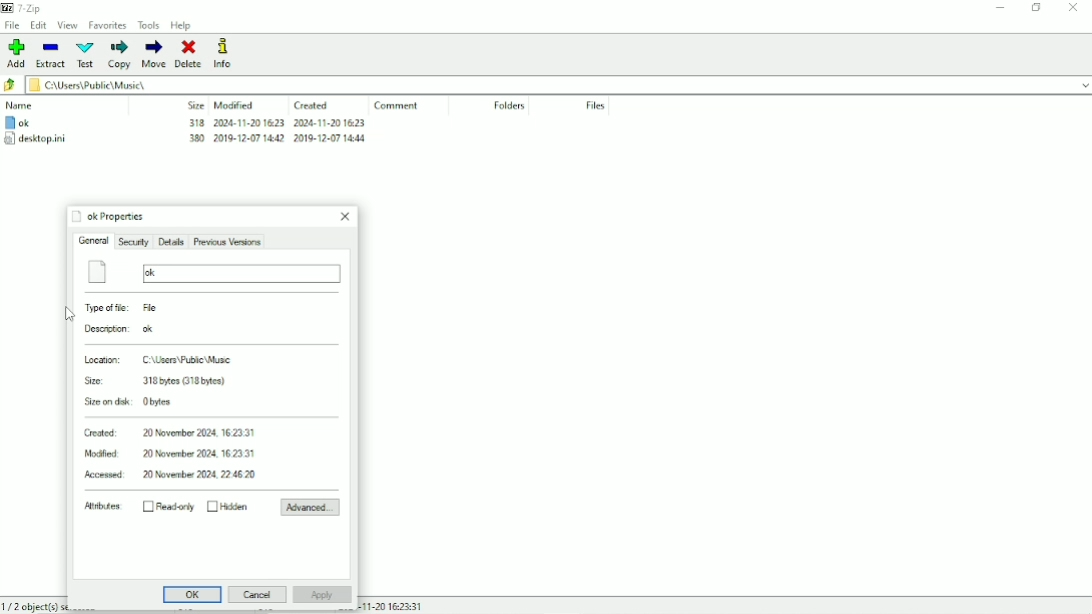  Describe the element at coordinates (173, 475) in the screenshot. I see `Accessed` at that location.